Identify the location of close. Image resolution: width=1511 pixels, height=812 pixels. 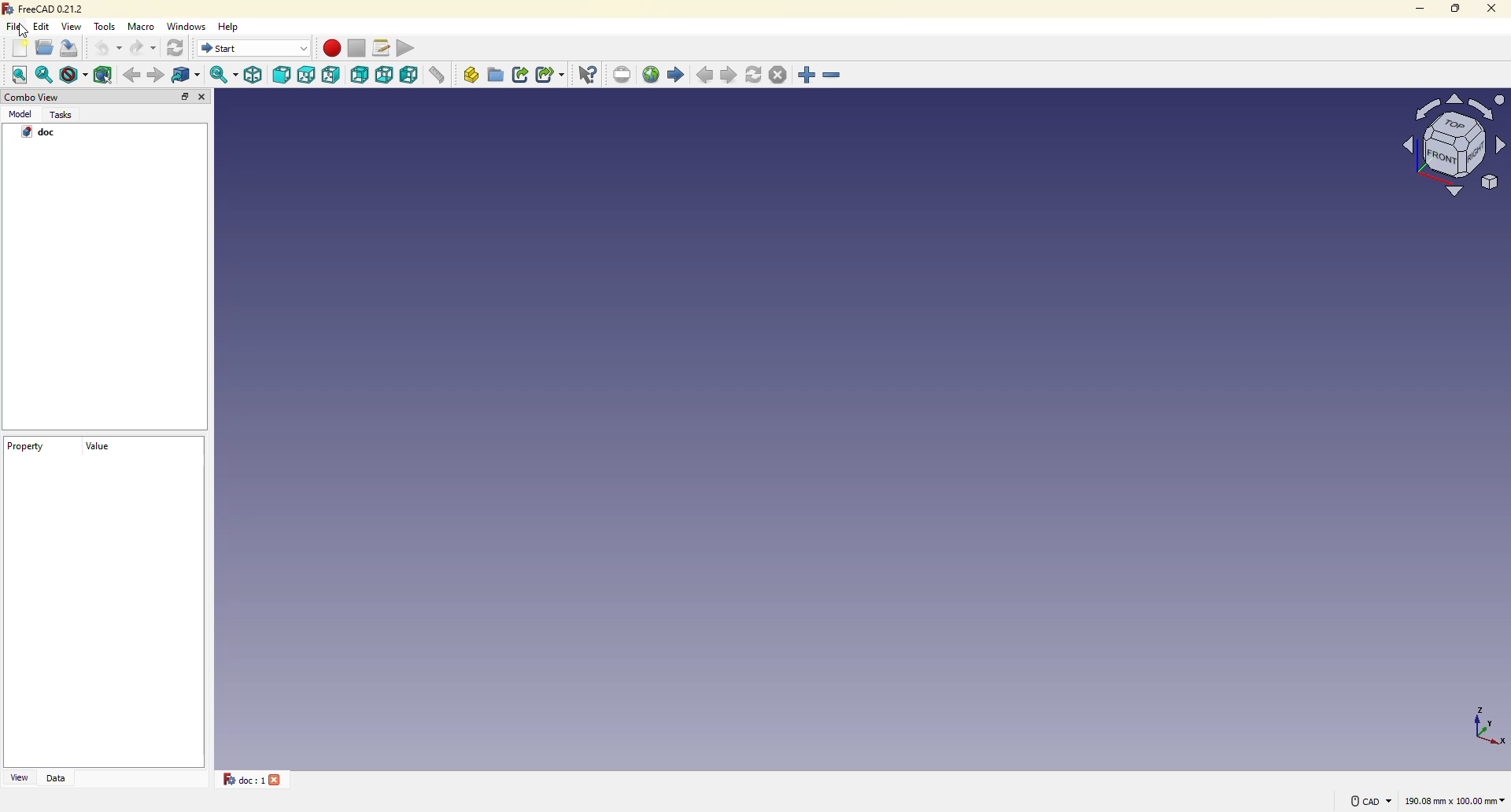
(1494, 8).